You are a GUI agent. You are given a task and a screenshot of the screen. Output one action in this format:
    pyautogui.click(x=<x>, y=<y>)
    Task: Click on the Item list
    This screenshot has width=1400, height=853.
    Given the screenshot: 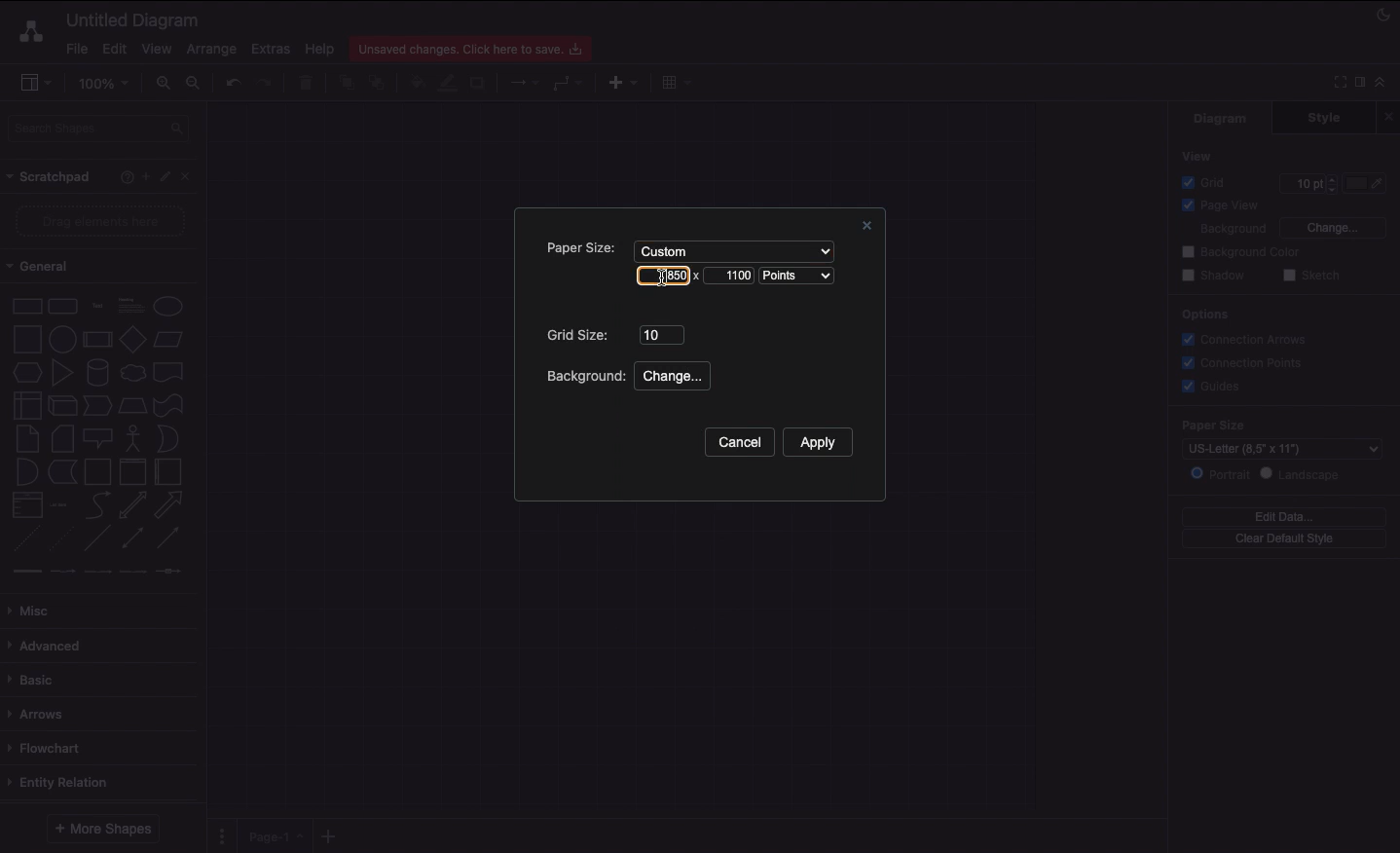 What is the action you would take?
    pyautogui.click(x=64, y=505)
    